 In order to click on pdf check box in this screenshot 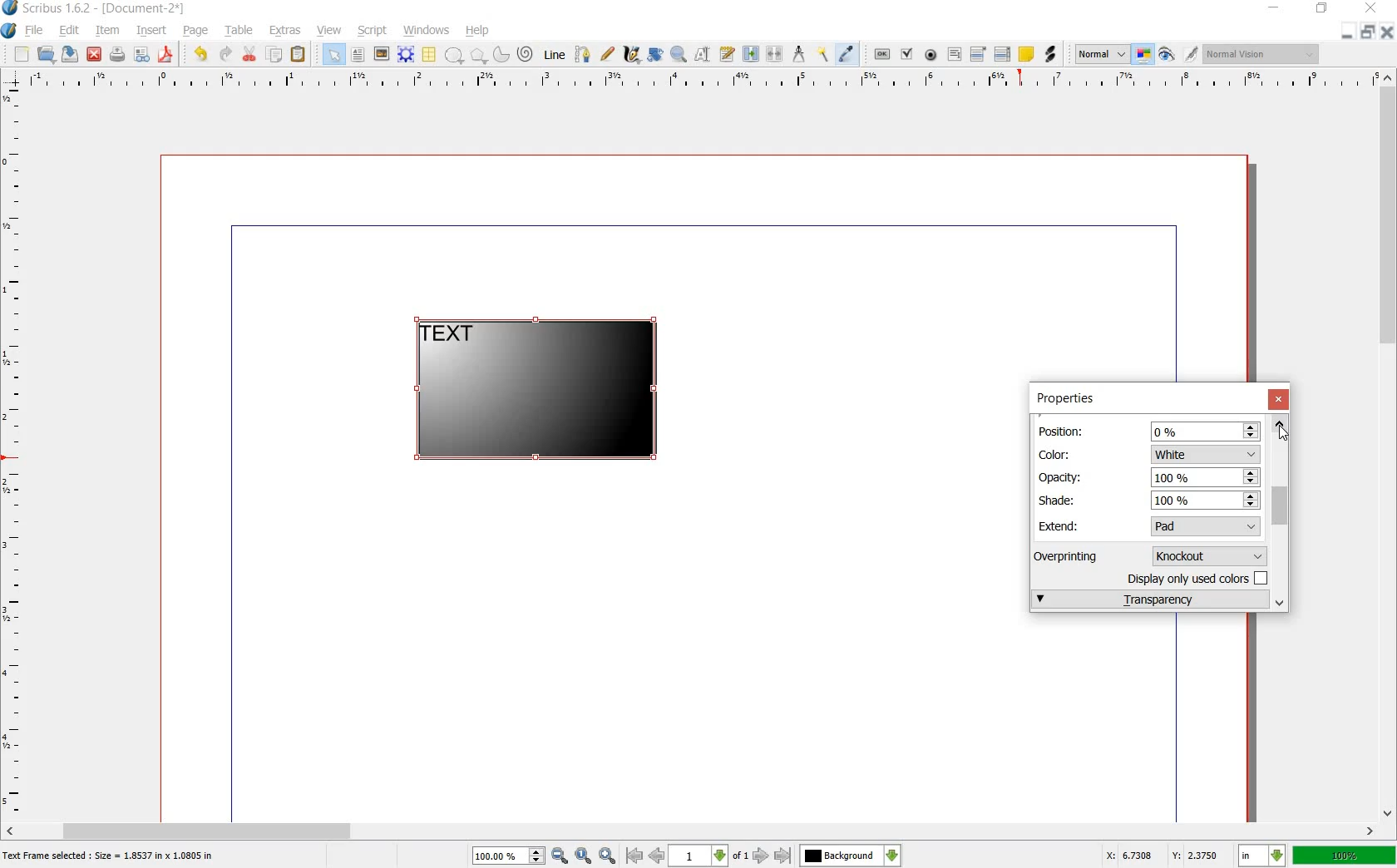, I will do `click(906, 54)`.